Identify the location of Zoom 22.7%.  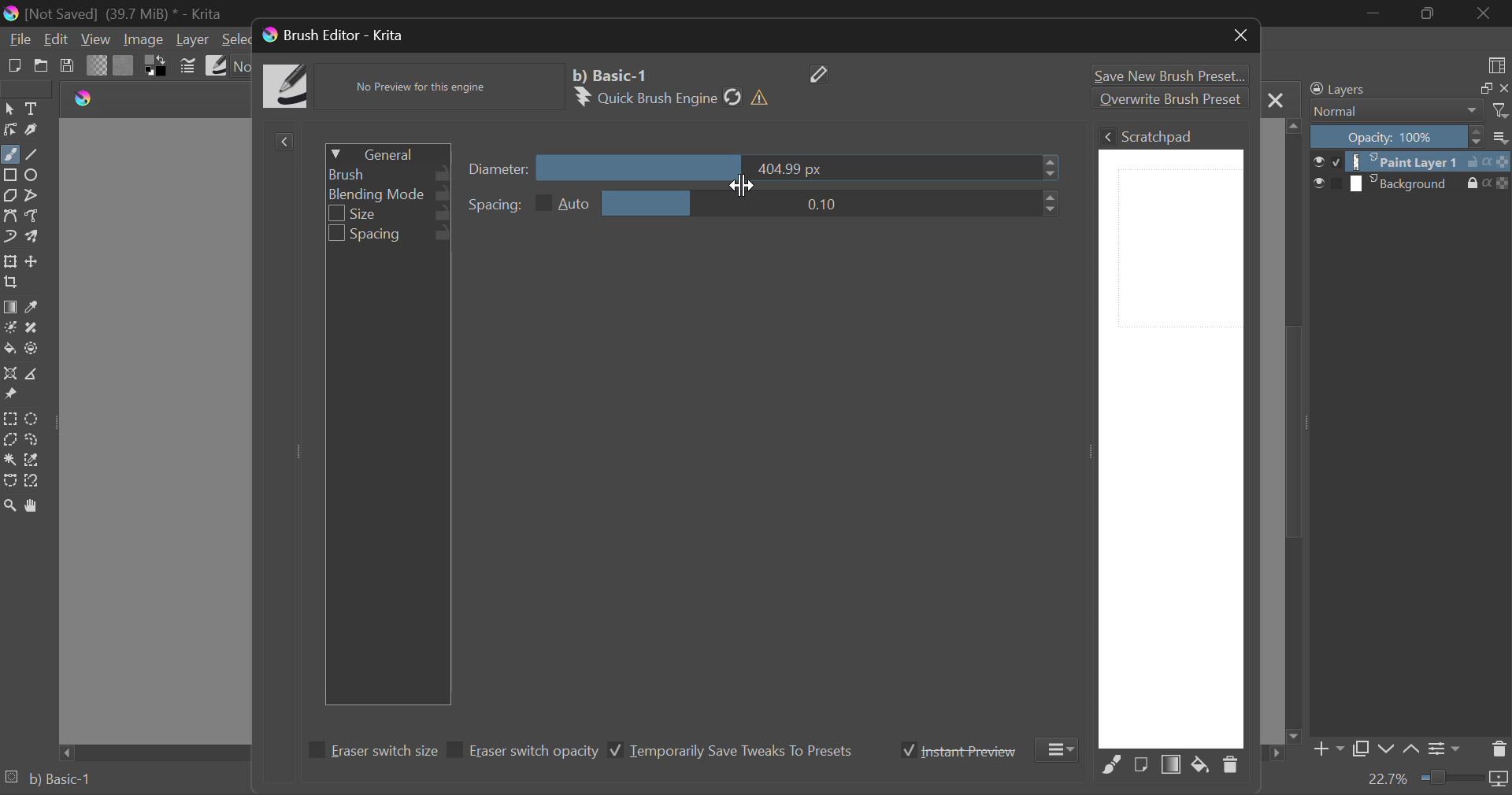
(1435, 780).